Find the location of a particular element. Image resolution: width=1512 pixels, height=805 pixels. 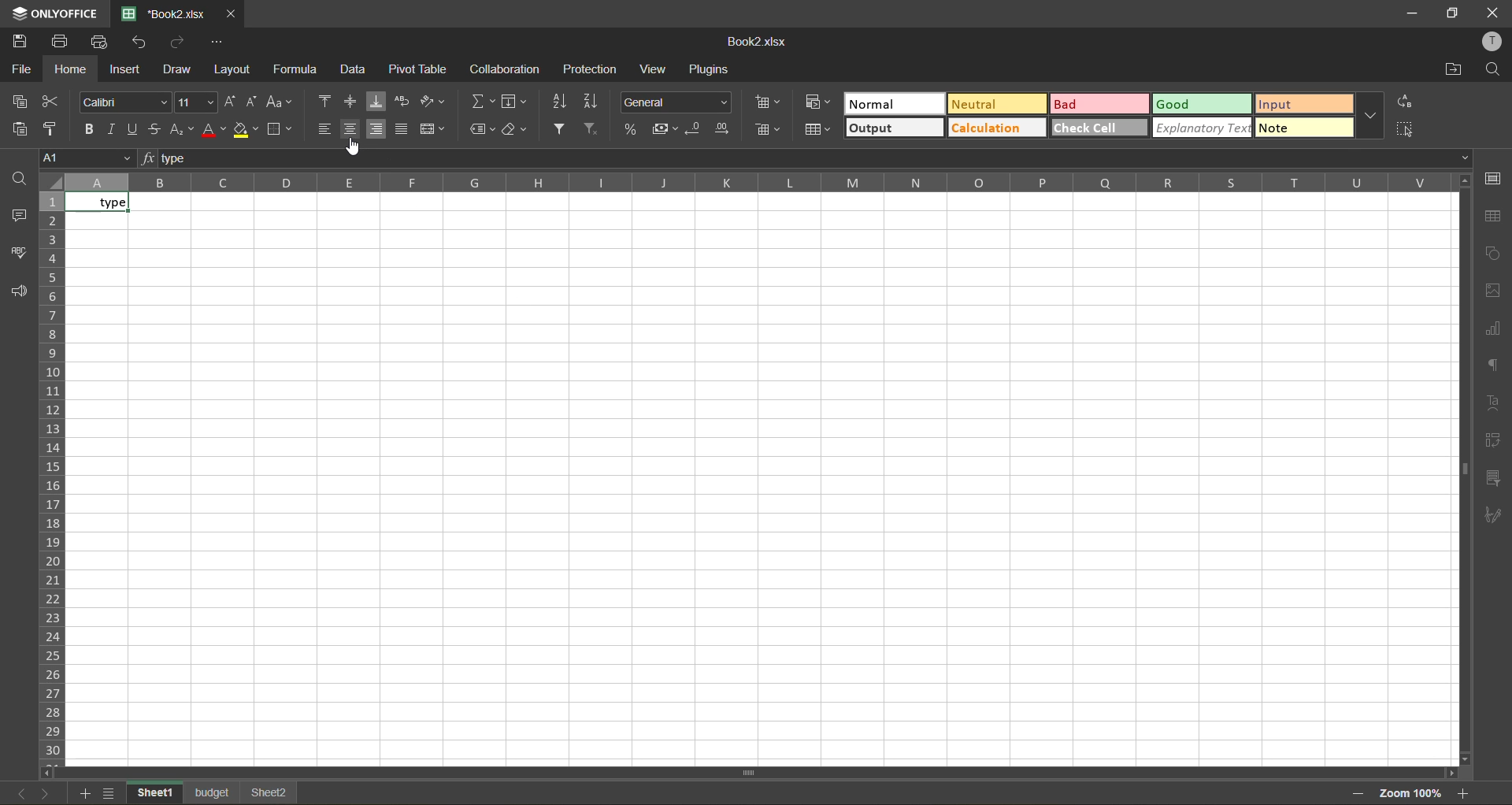

insert is located at coordinates (128, 71).